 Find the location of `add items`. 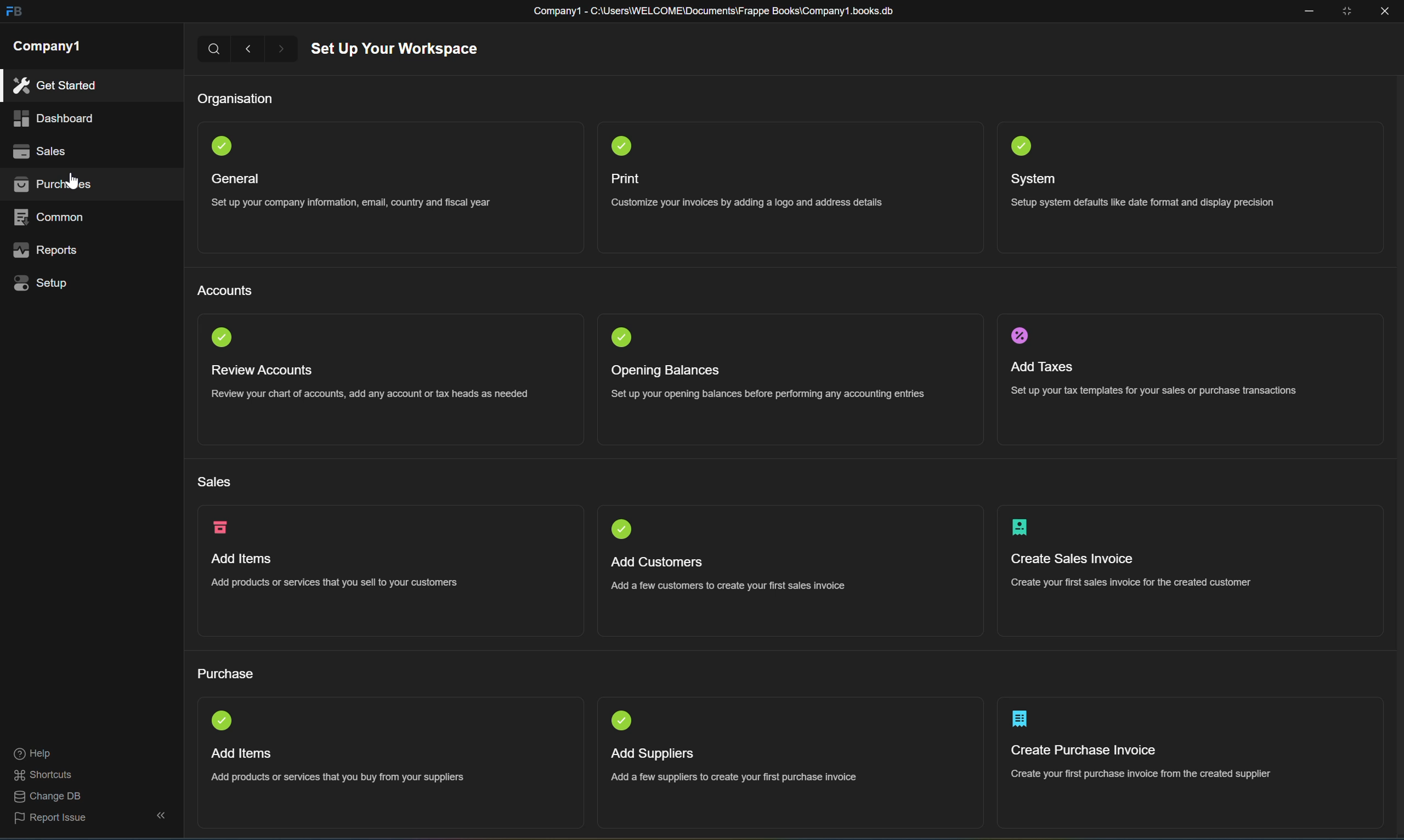

add items is located at coordinates (241, 559).